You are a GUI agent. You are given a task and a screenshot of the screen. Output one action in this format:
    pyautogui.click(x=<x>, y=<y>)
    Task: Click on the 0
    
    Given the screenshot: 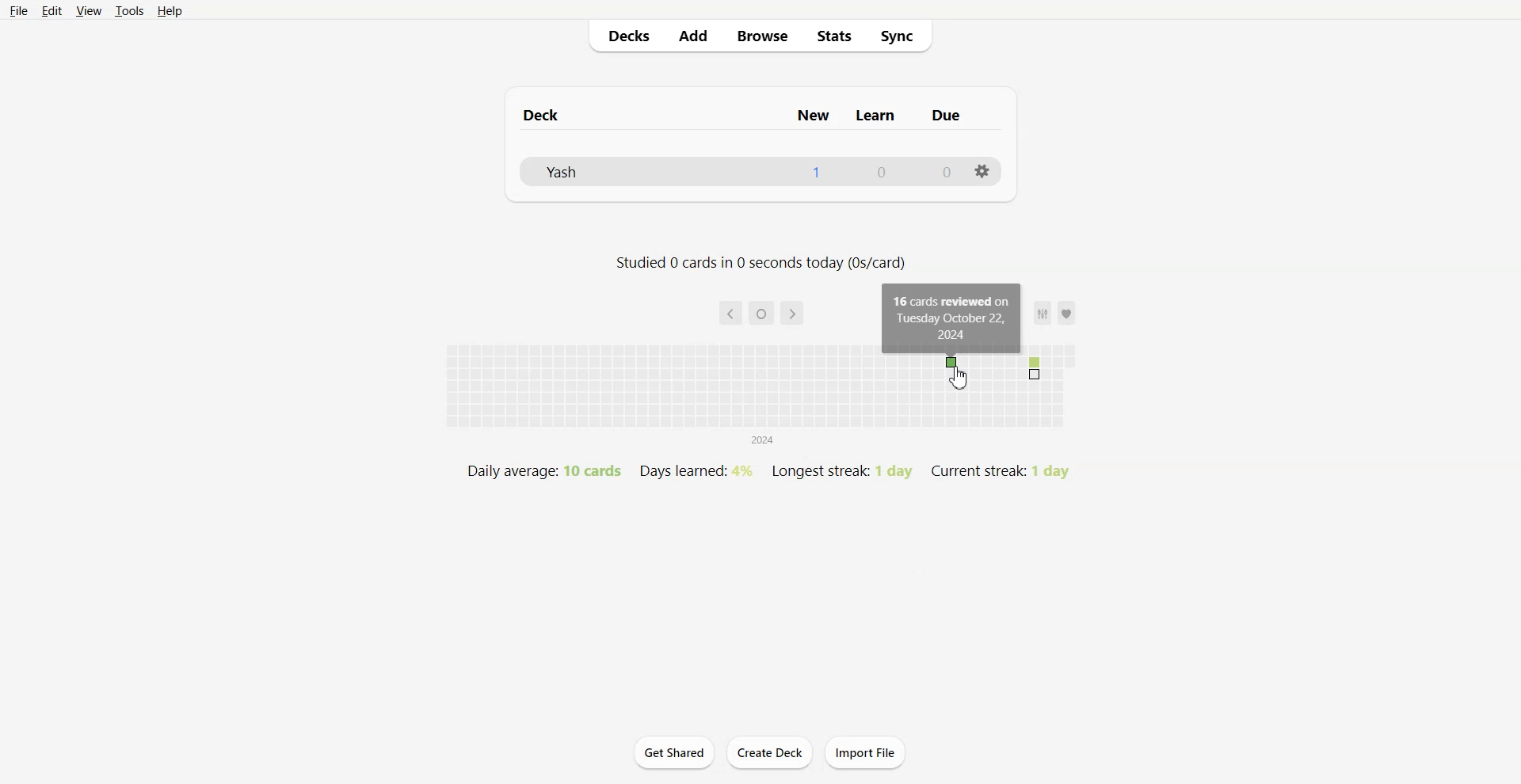 What is the action you would take?
    pyautogui.click(x=882, y=171)
    